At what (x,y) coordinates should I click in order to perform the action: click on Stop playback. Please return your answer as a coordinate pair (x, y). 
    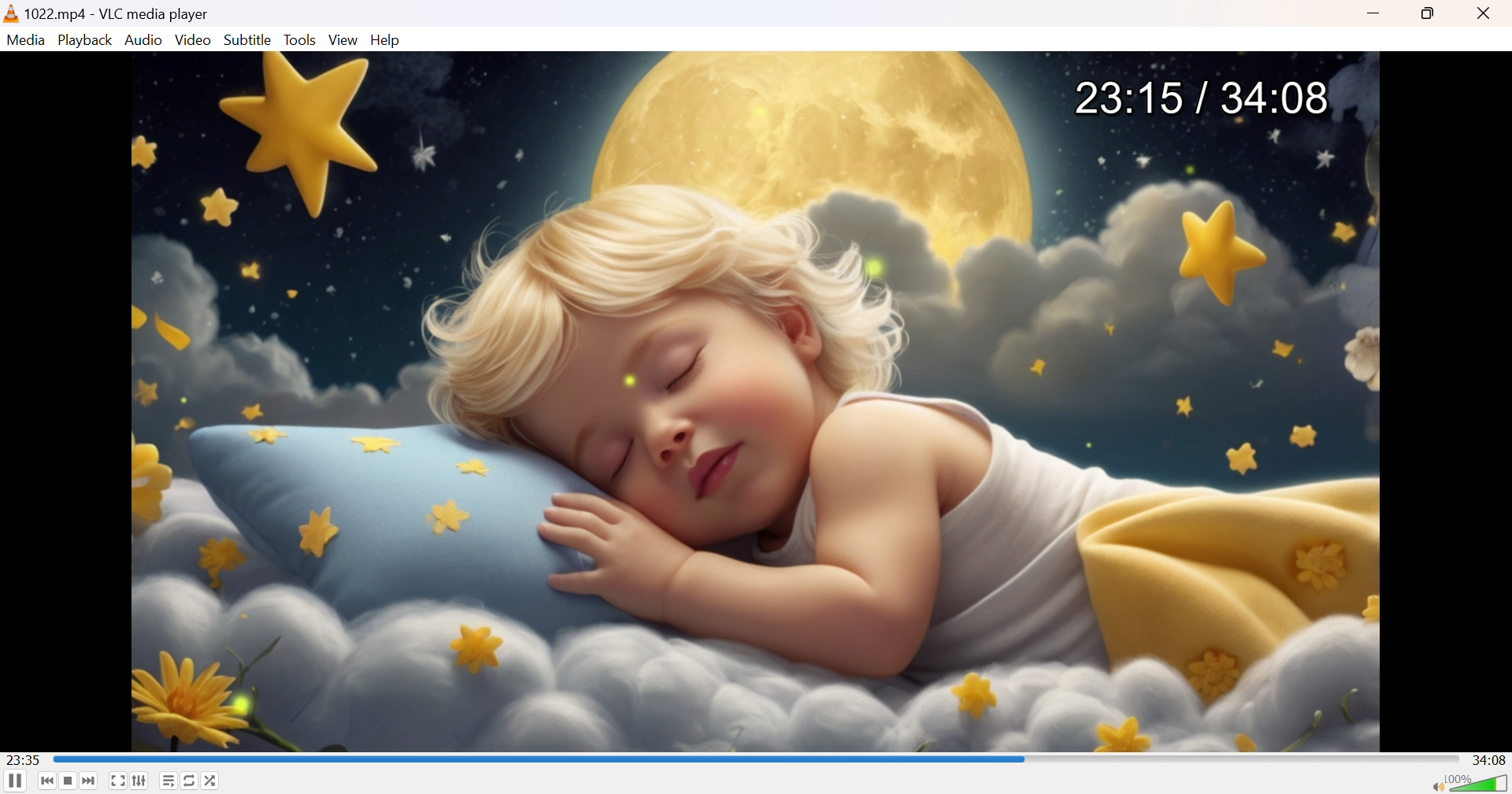
    Looking at the image, I should click on (69, 781).